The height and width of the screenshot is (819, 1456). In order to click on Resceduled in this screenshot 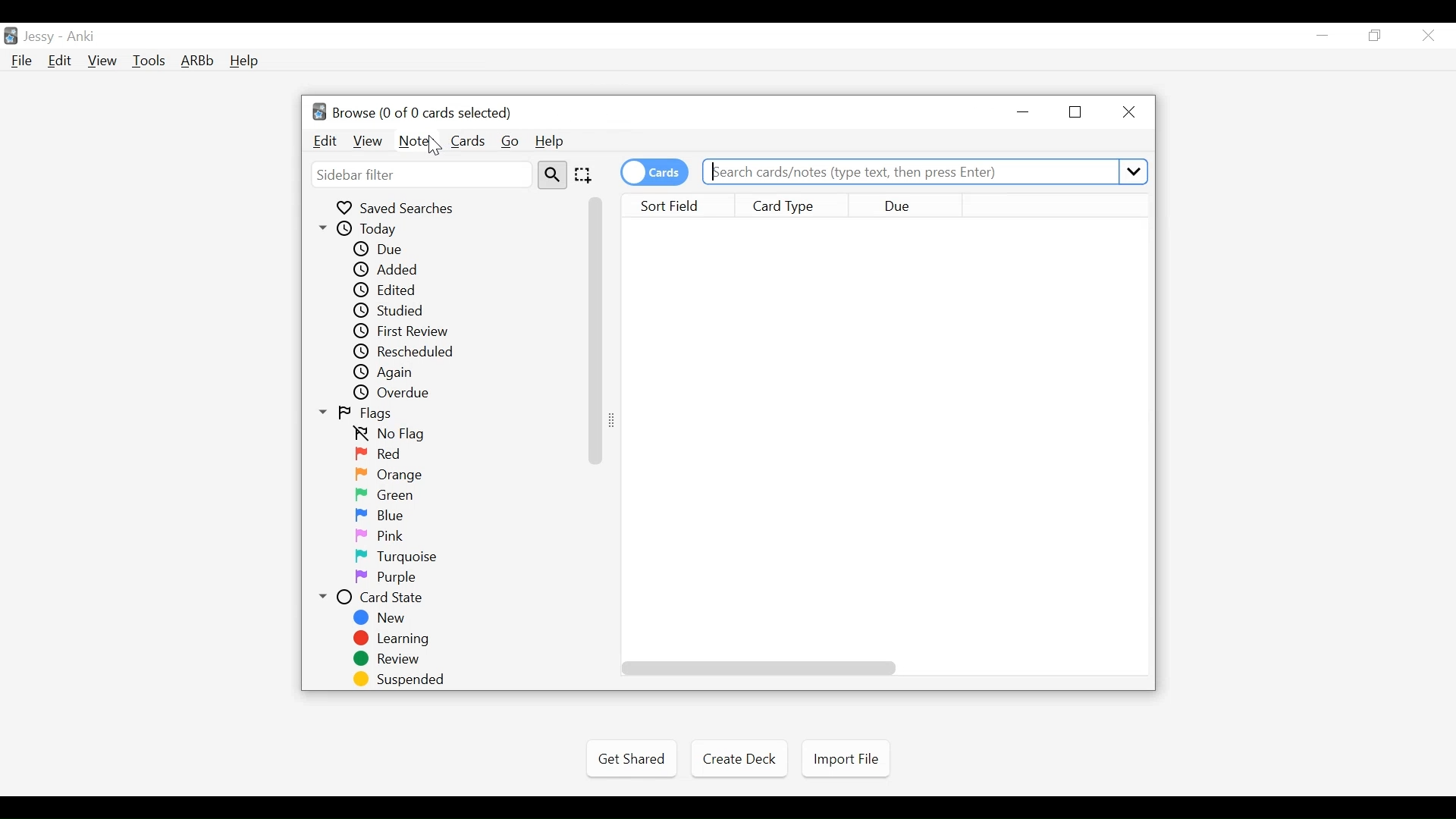, I will do `click(415, 351)`.